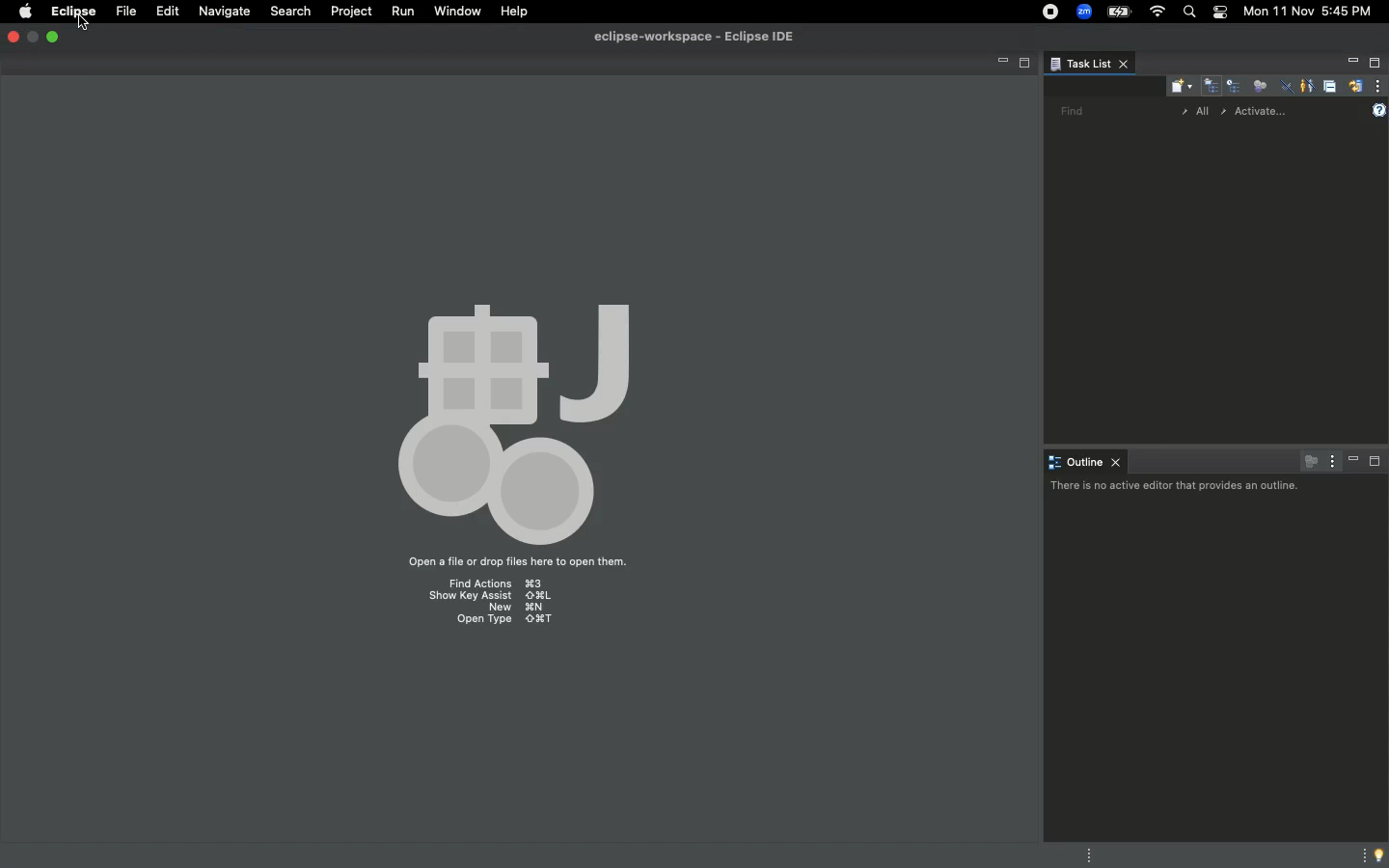 This screenshot has width=1389, height=868. What do you see at coordinates (1267, 108) in the screenshot?
I see `Activate` at bounding box center [1267, 108].